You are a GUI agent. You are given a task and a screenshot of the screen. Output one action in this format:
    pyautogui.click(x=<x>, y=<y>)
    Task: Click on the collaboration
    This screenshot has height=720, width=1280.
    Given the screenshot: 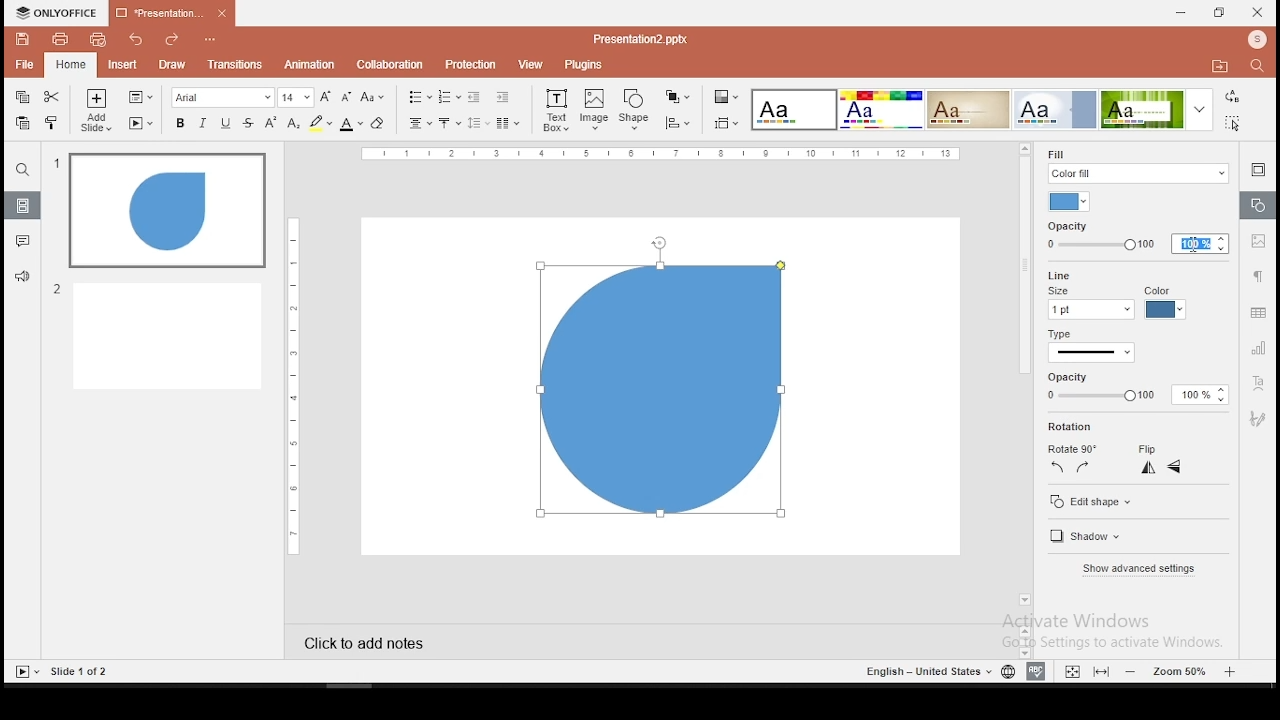 What is the action you would take?
    pyautogui.click(x=389, y=65)
    